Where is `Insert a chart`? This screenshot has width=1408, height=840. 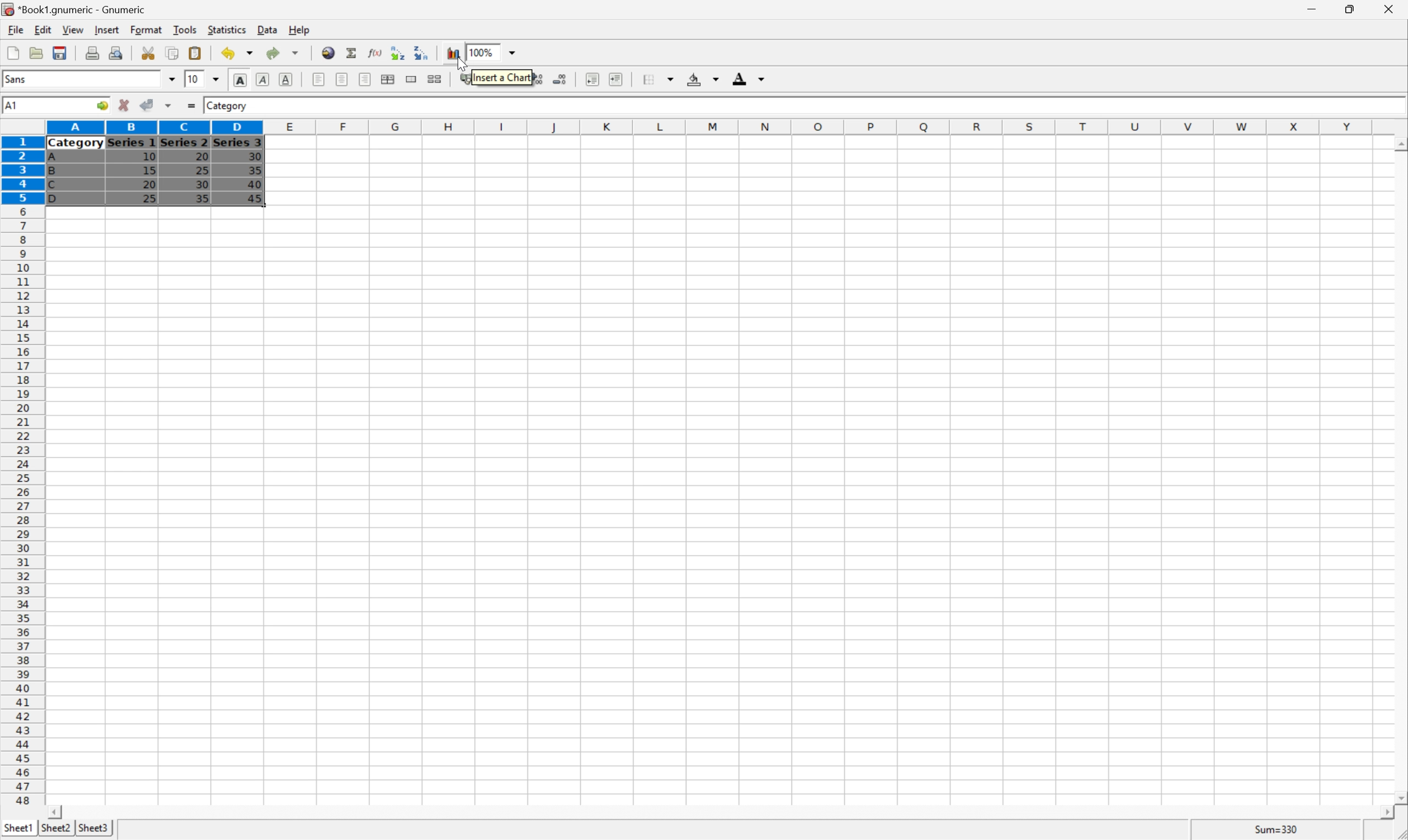 Insert a chart is located at coordinates (501, 77).